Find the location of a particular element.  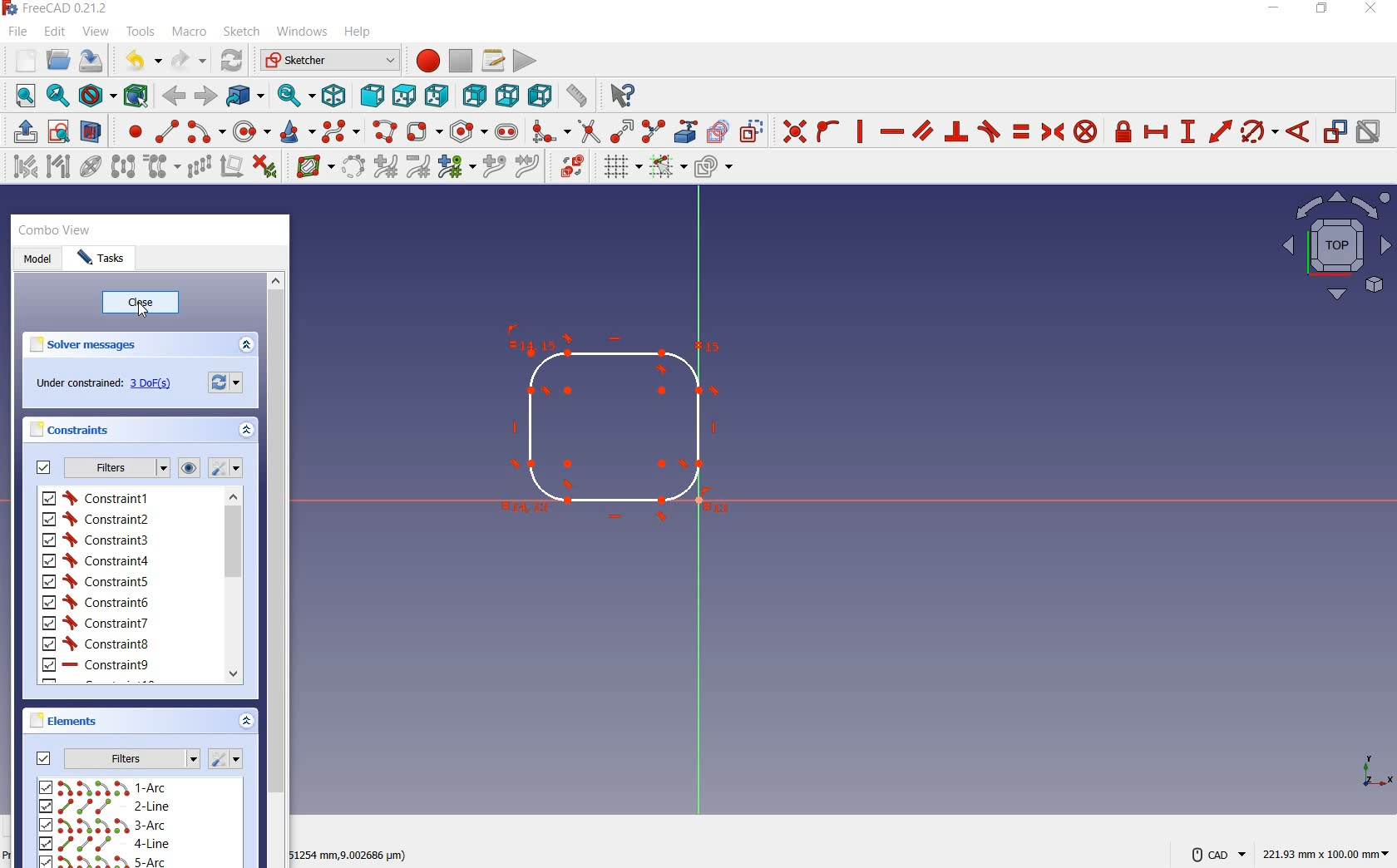

filters is located at coordinates (116, 758).